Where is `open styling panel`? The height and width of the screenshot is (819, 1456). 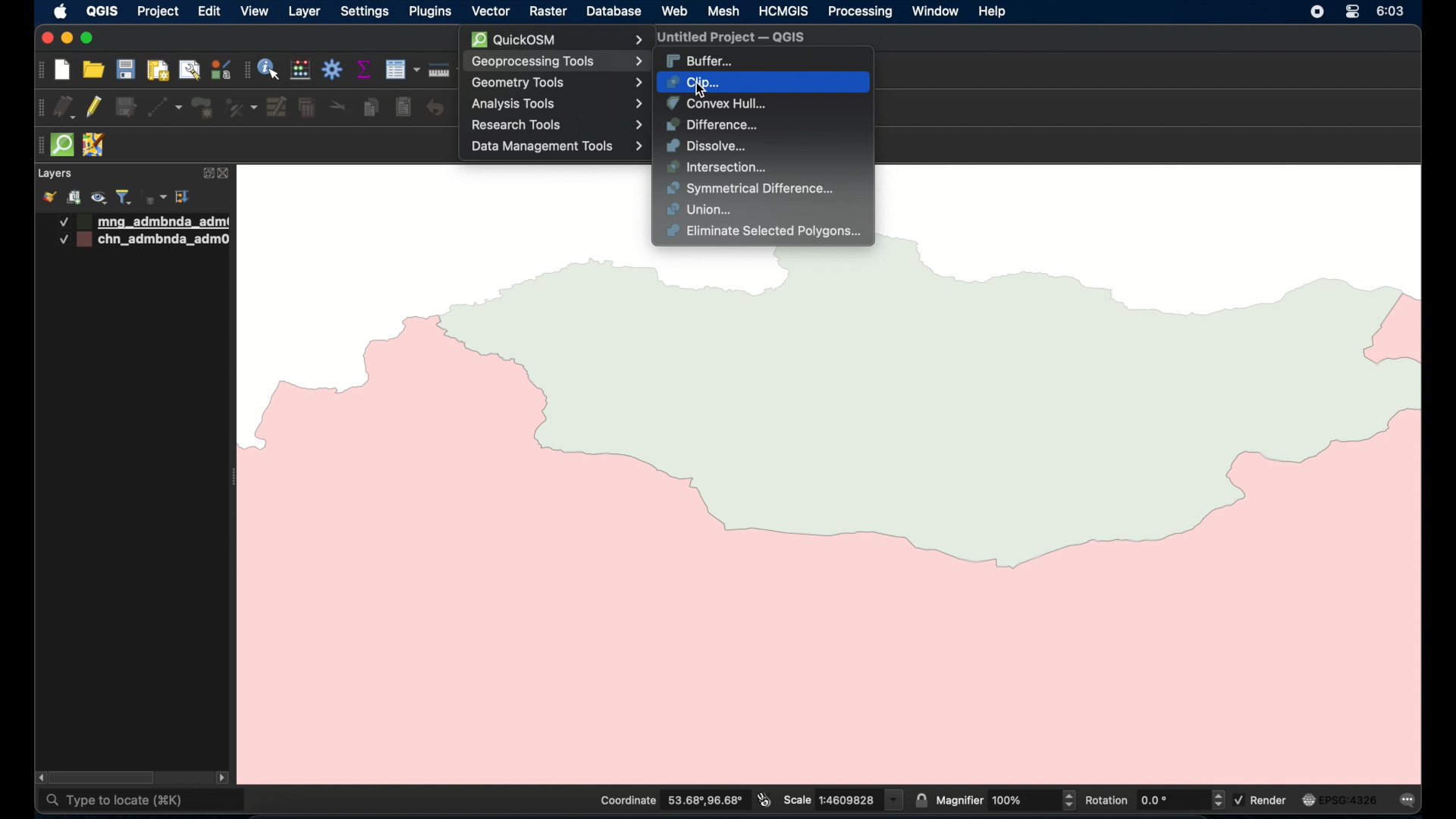
open styling panel is located at coordinates (48, 197).